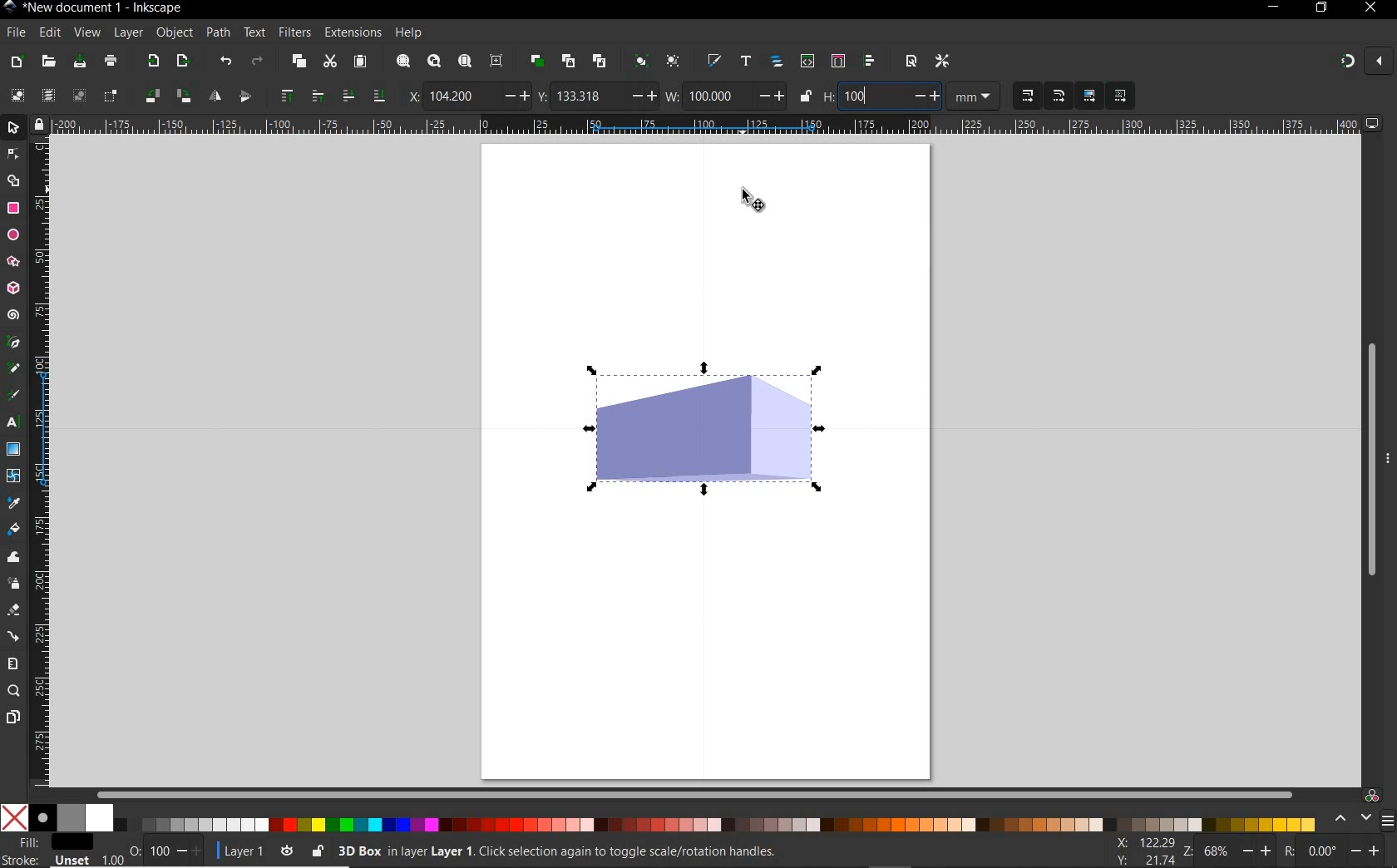 This screenshot has height=868, width=1397. Describe the element at coordinates (1375, 124) in the screenshot. I see `computer icon` at that location.